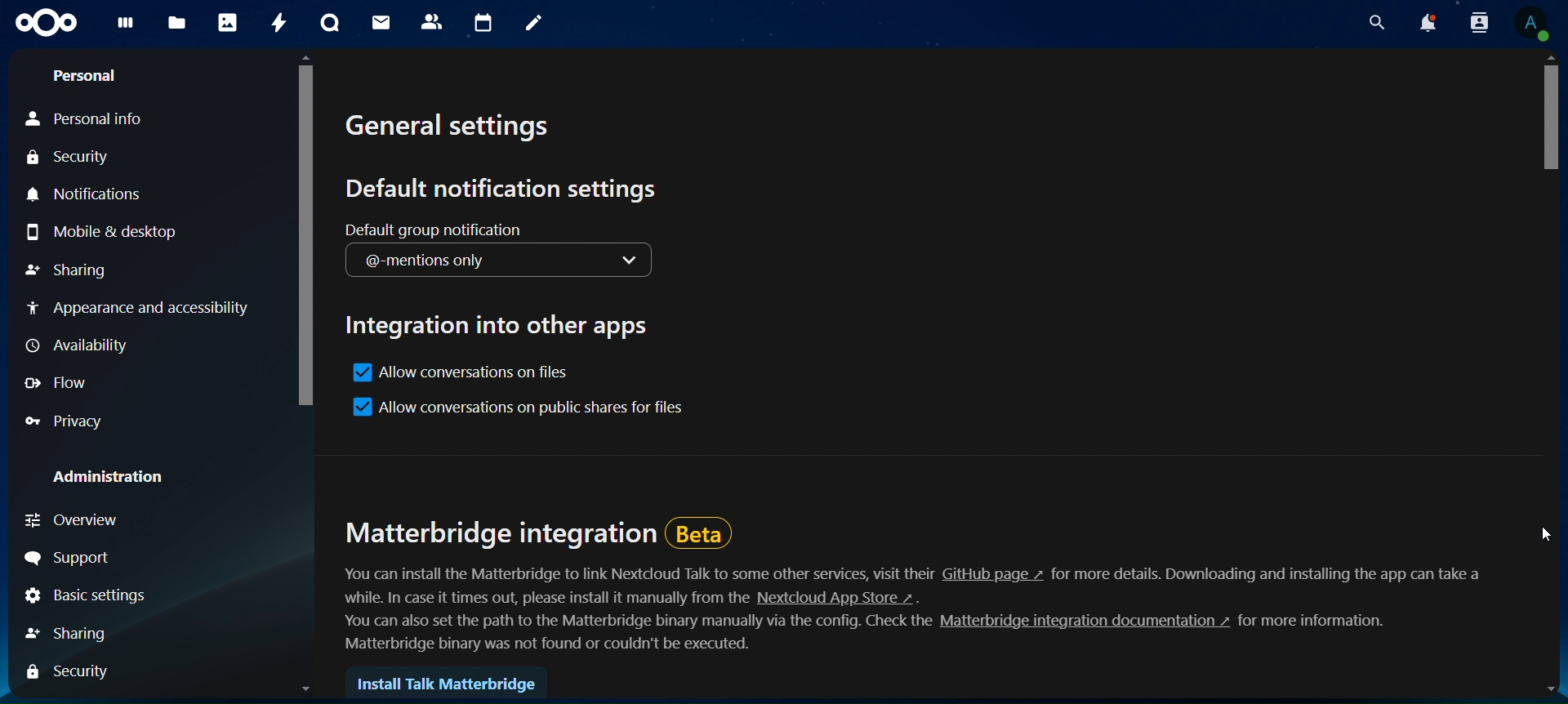  Describe the element at coordinates (67, 158) in the screenshot. I see `security` at that location.